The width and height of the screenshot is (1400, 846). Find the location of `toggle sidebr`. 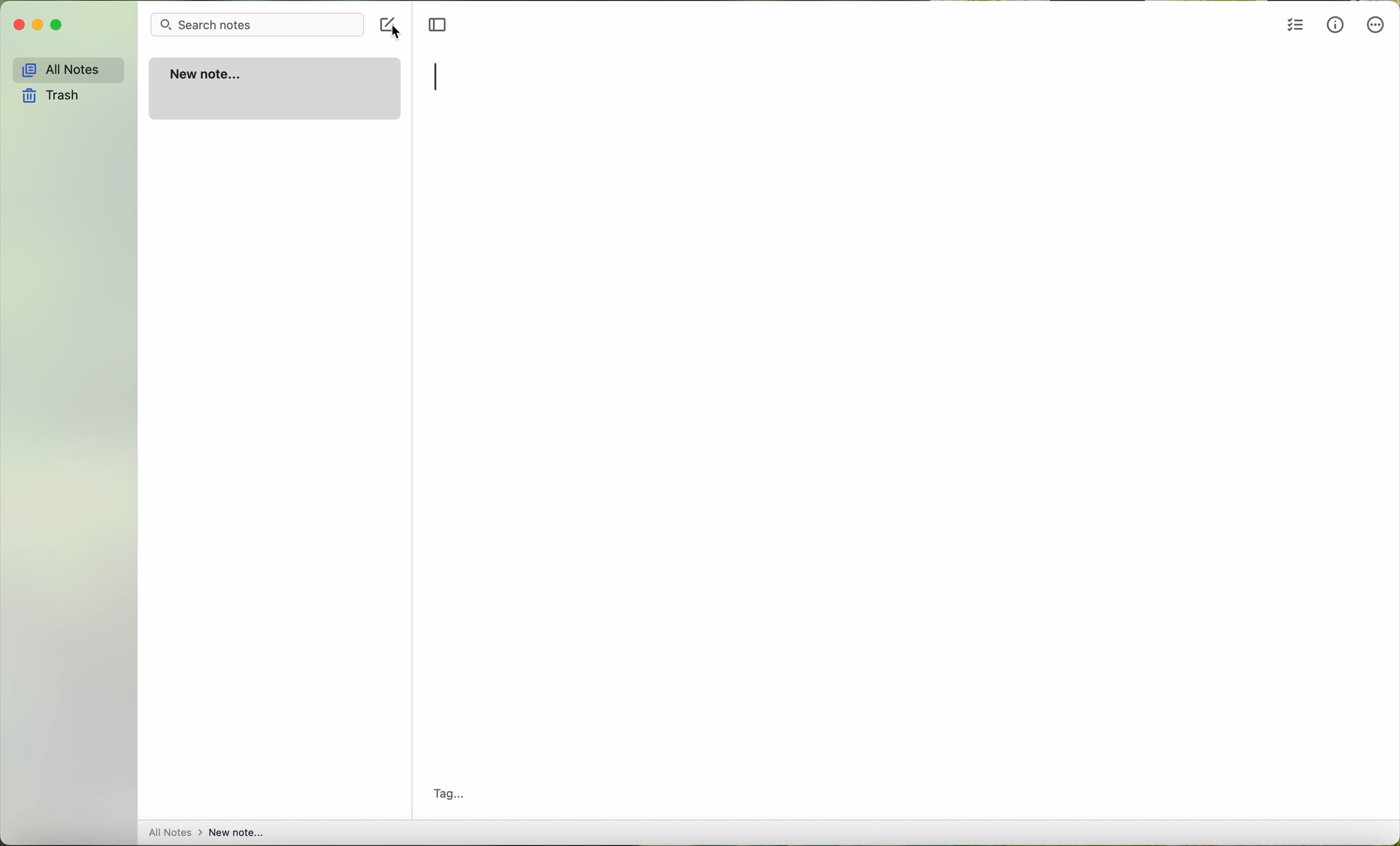

toggle sidebr is located at coordinates (436, 26).